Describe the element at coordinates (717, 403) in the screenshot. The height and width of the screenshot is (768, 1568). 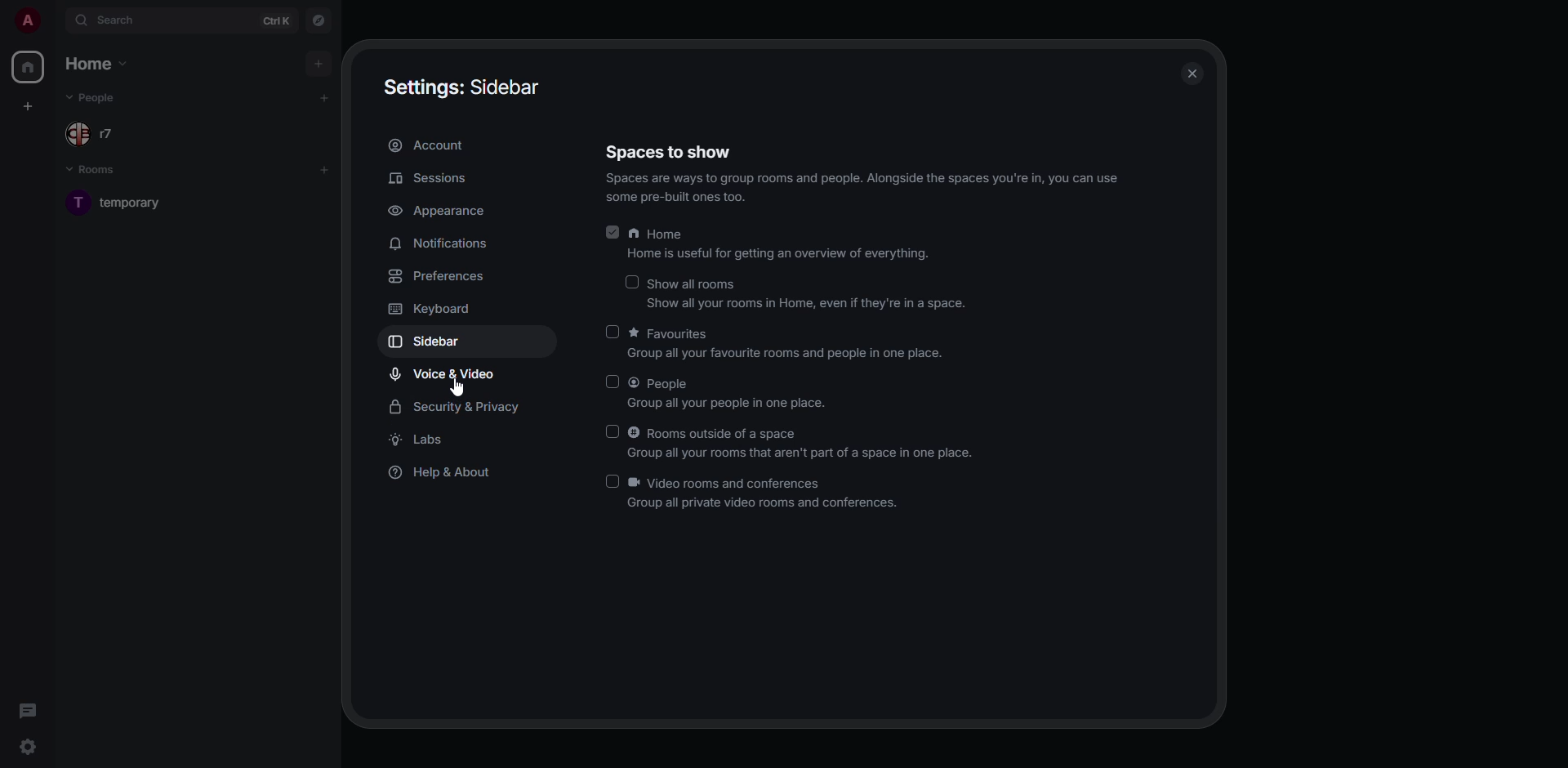
I see `Group all your people in one place.` at that location.